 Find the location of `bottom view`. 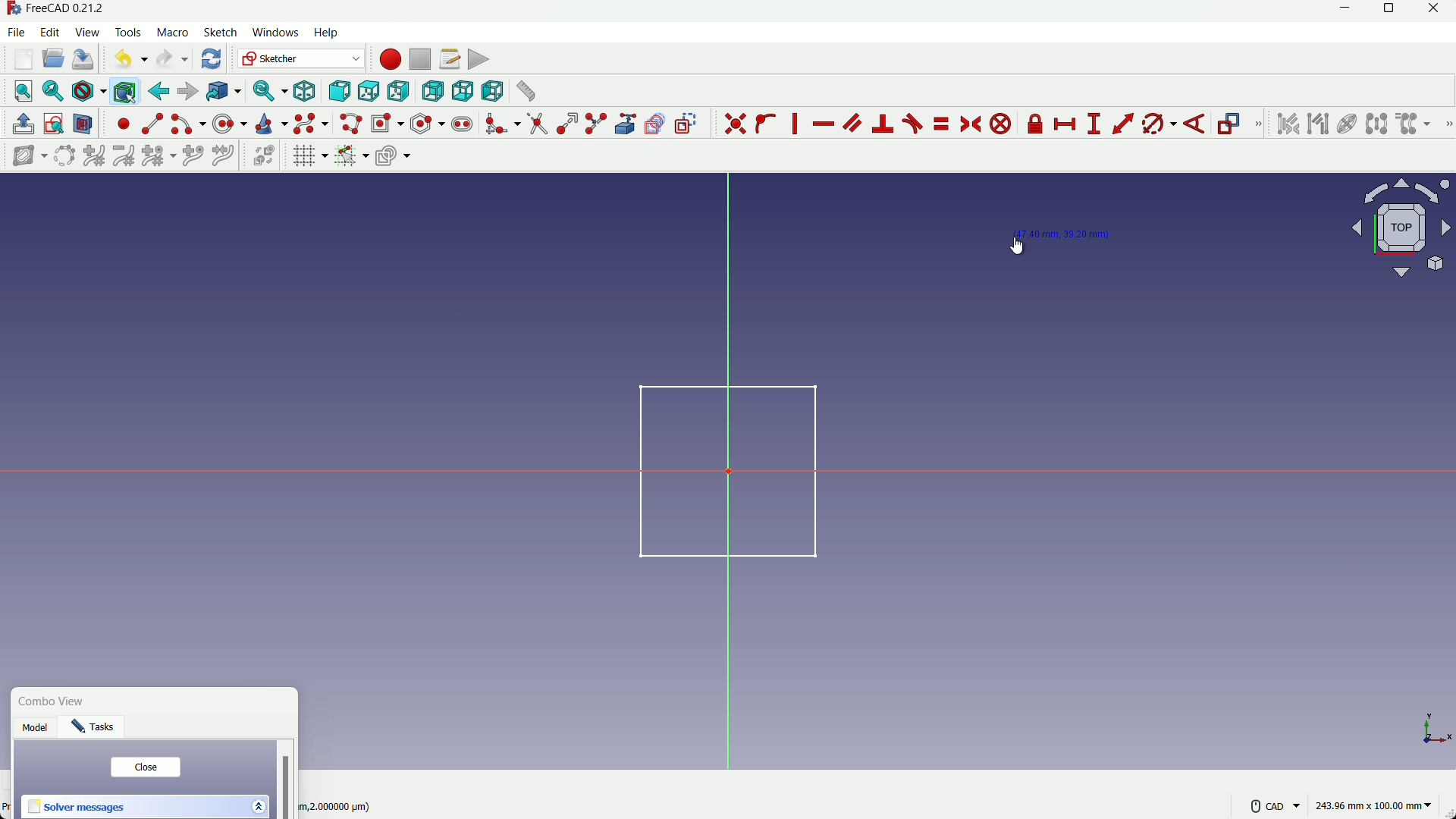

bottom view is located at coordinates (462, 91).